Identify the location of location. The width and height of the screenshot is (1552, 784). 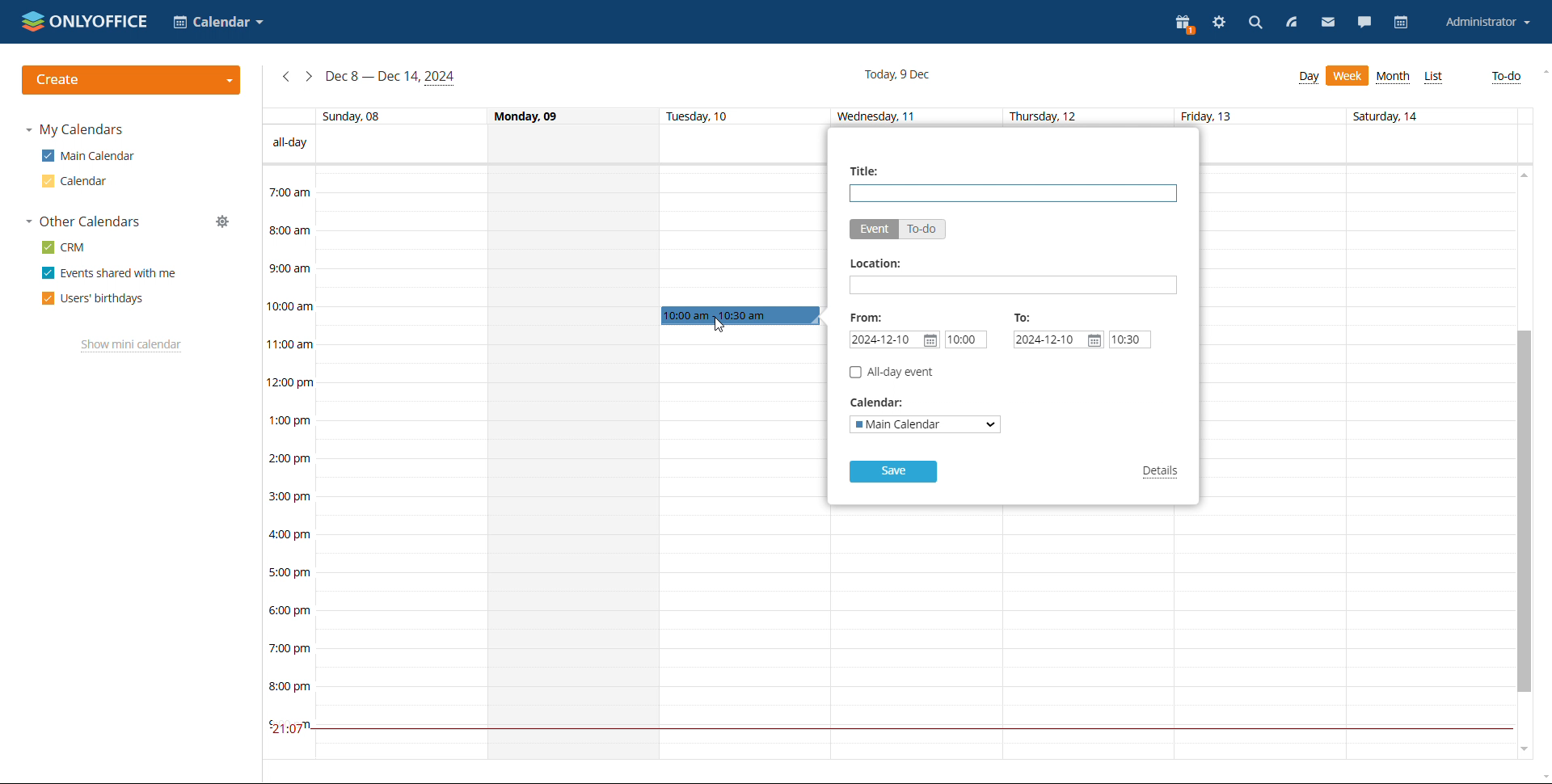
(1014, 285).